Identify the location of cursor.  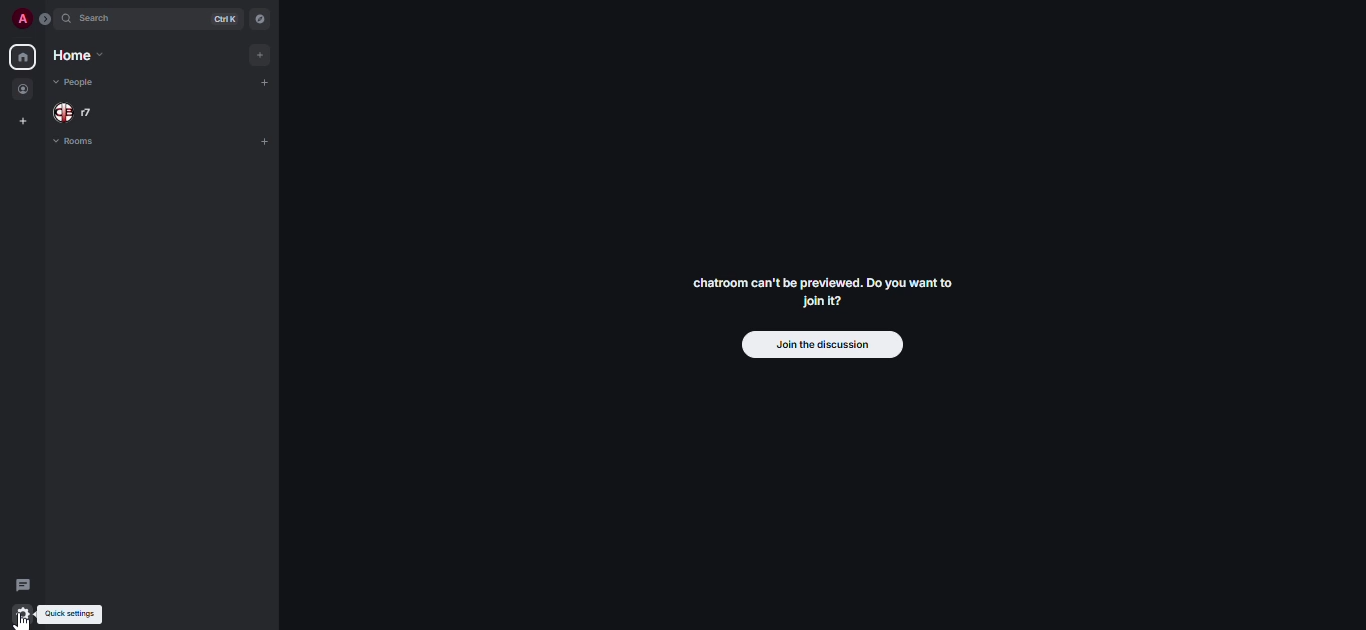
(25, 622).